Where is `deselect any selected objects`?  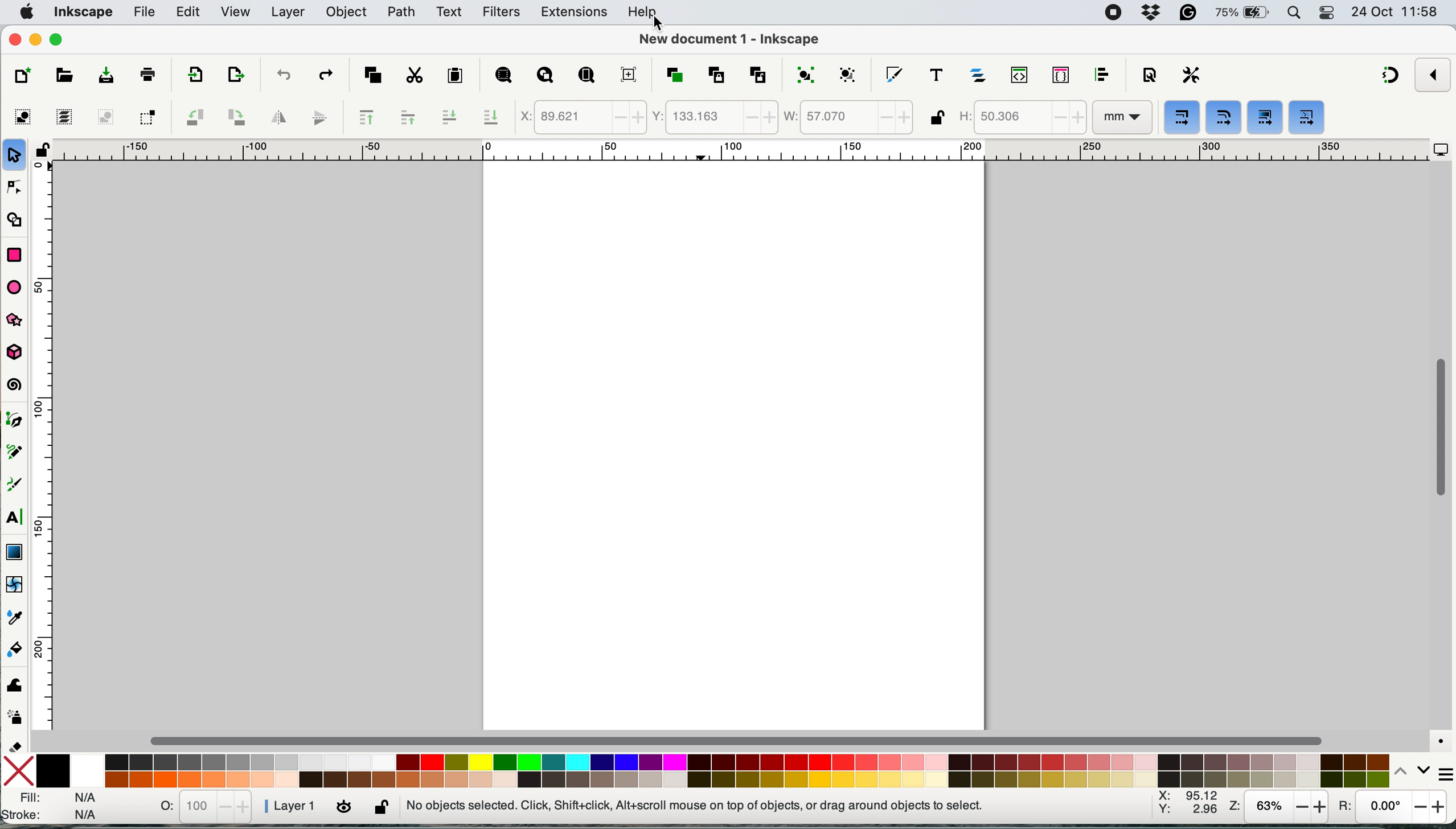 deselect any selected objects is located at coordinates (110, 118).